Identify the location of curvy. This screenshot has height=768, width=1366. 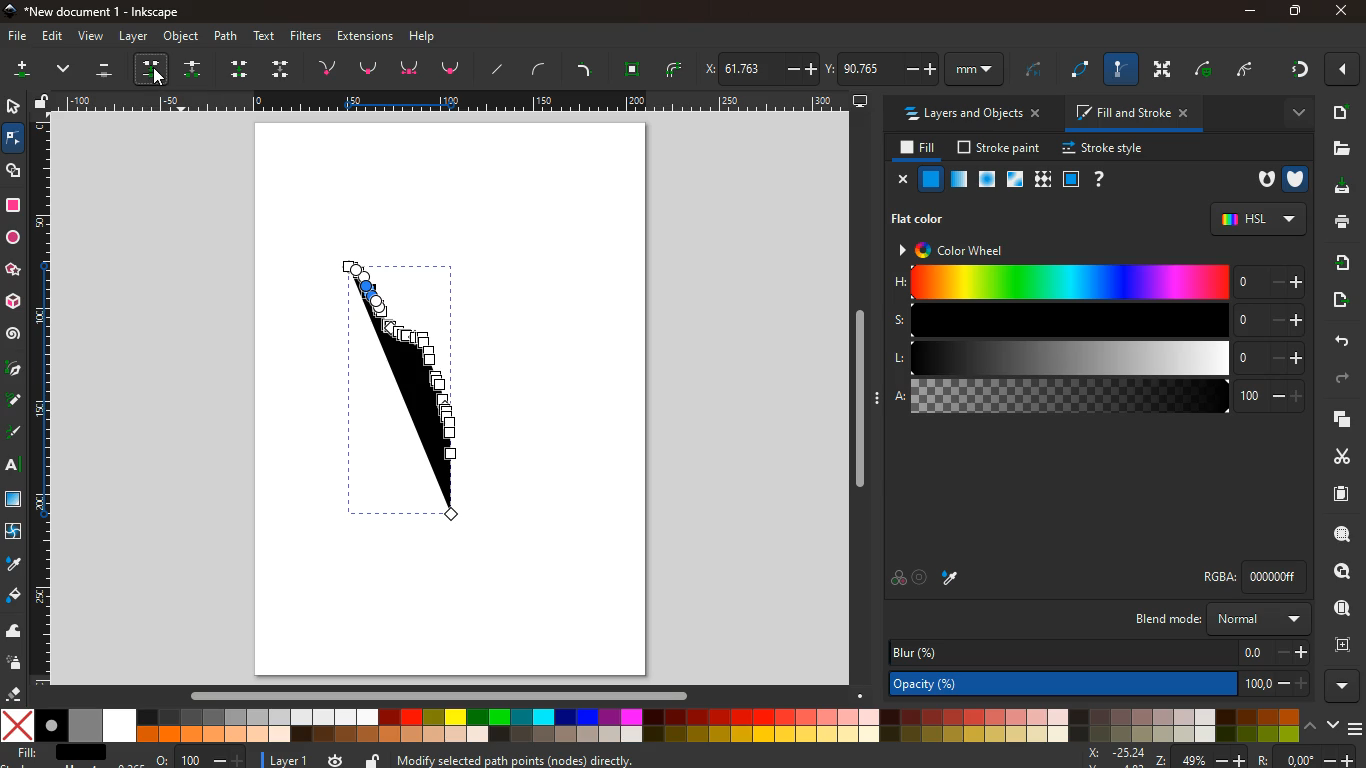
(543, 69).